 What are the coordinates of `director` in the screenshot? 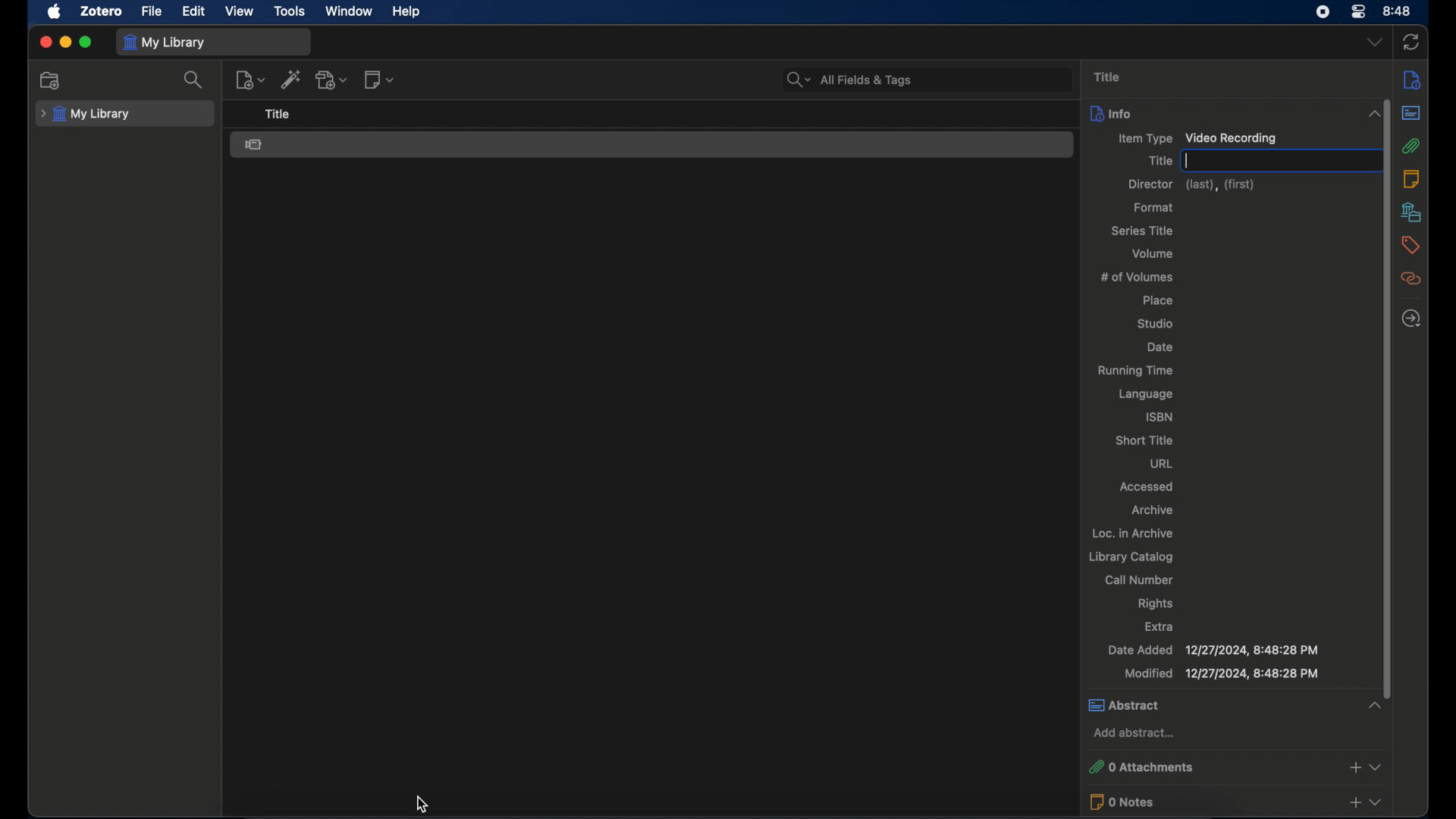 It's located at (1191, 185).